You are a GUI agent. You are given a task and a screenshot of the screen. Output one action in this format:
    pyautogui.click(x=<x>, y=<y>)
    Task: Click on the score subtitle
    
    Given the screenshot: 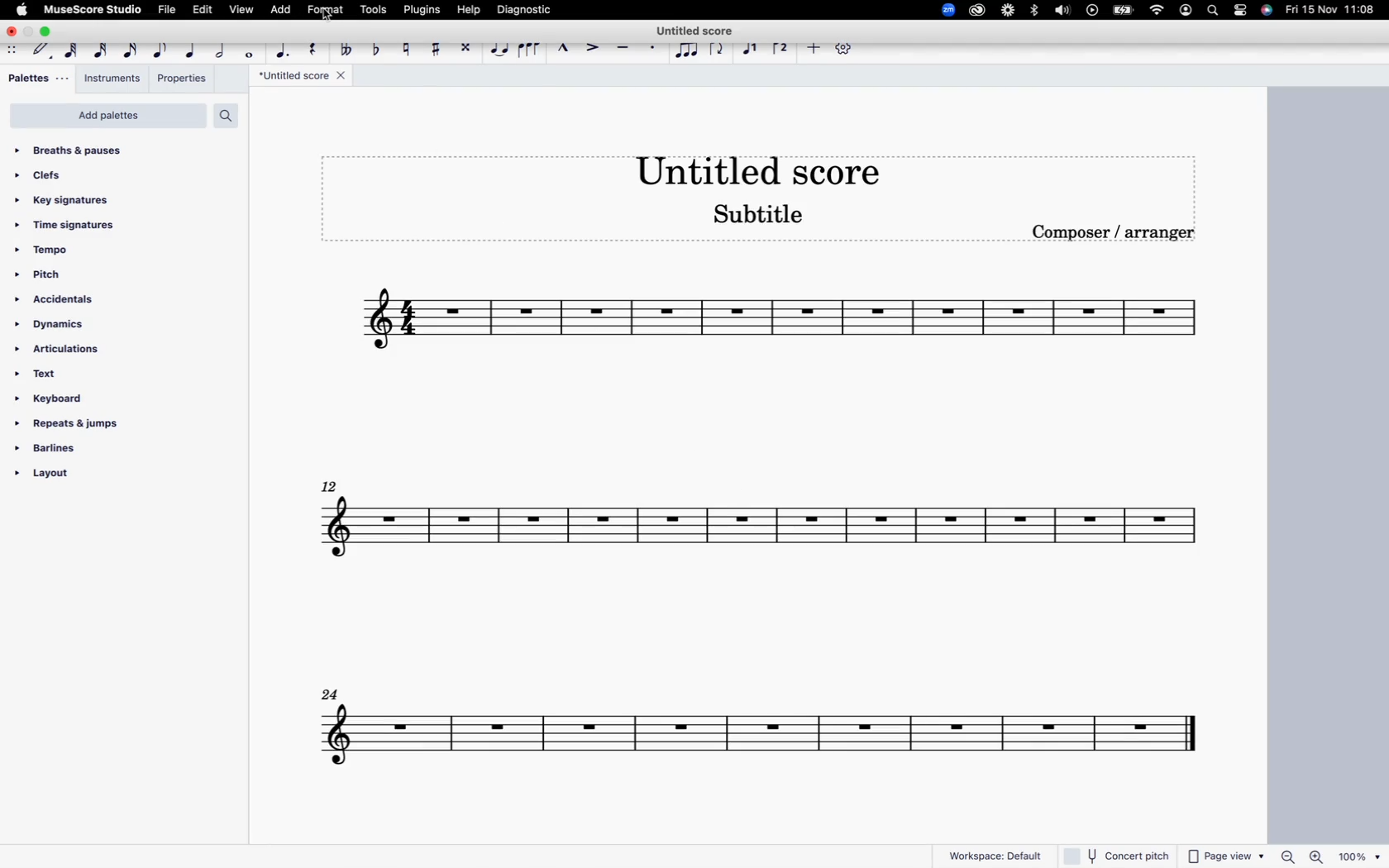 What is the action you would take?
    pyautogui.click(x=765, y=219)
    